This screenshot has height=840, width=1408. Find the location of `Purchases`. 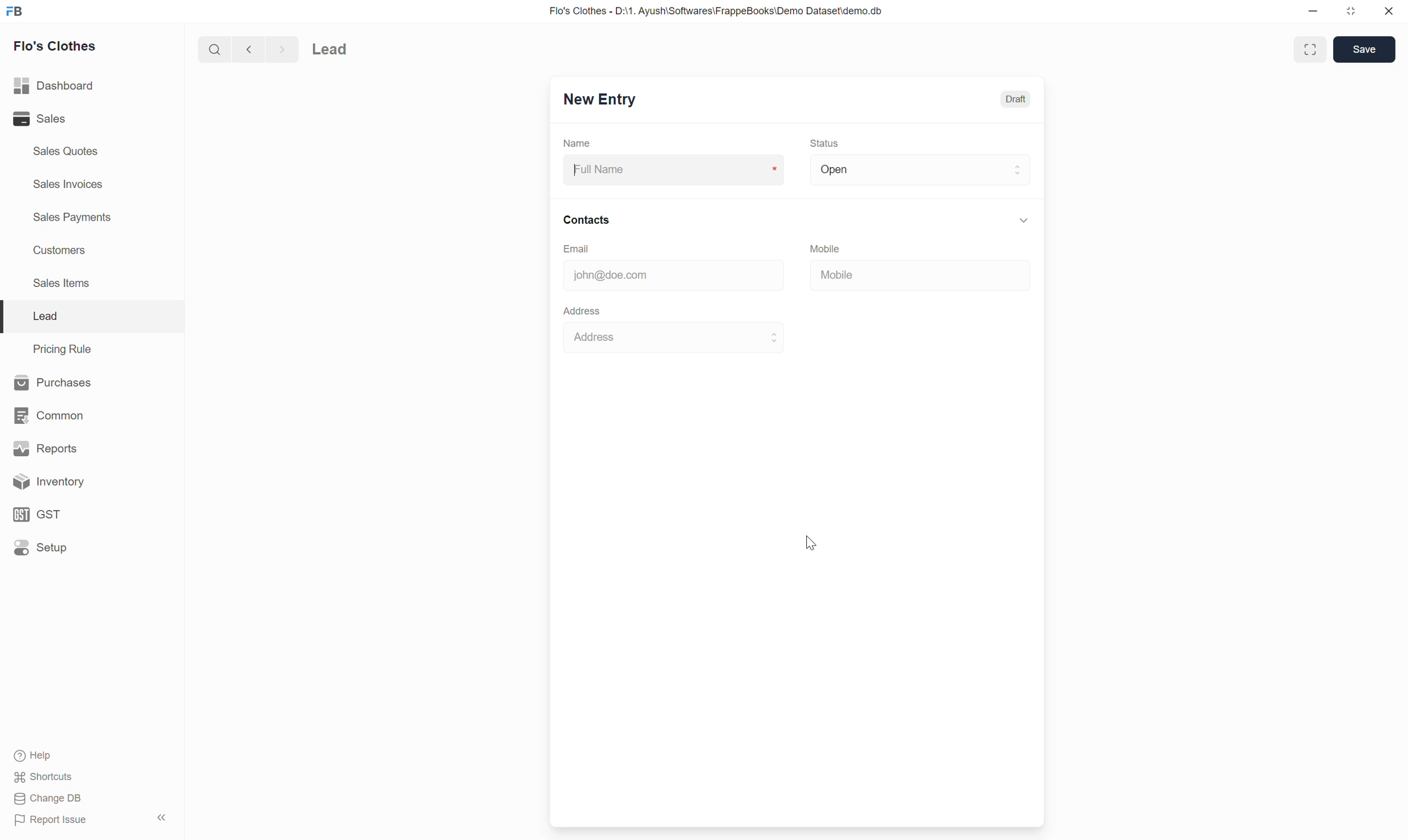

Purchases is located at coordinates (53, 382).